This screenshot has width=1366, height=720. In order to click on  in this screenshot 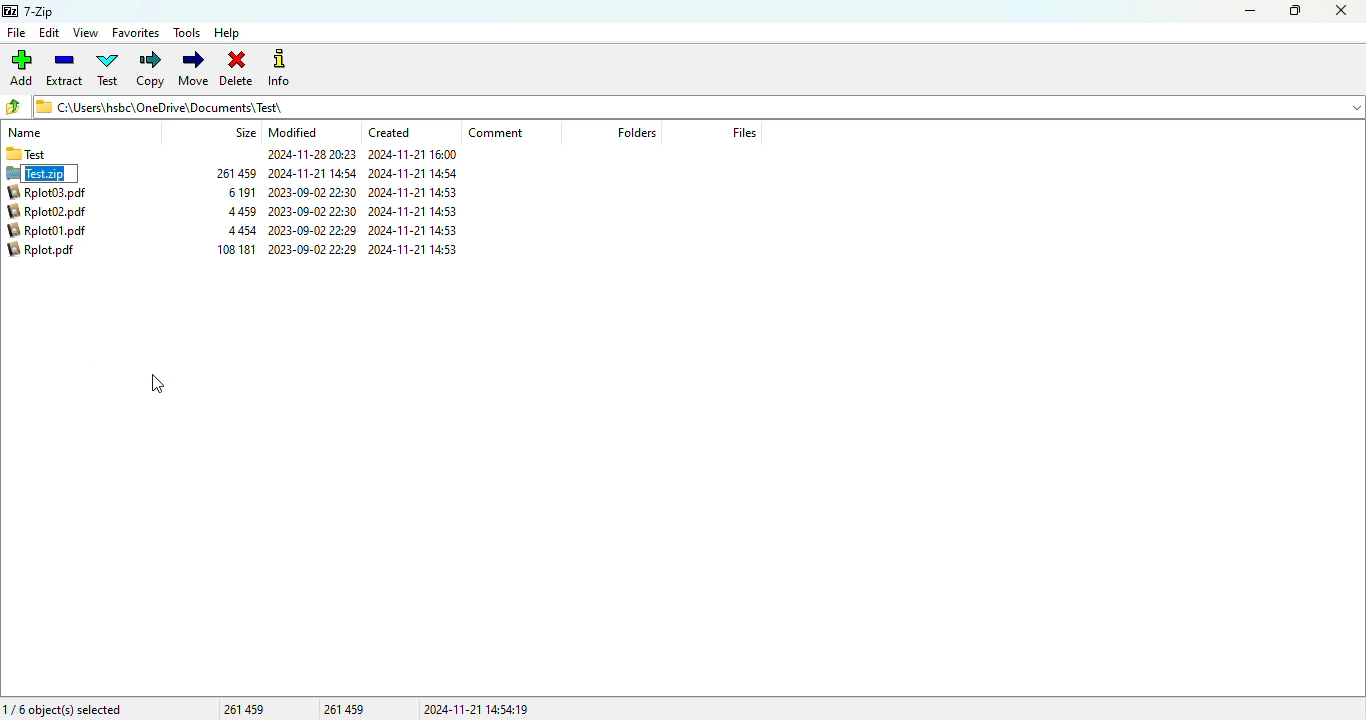, I will do `click(311, 154)`.